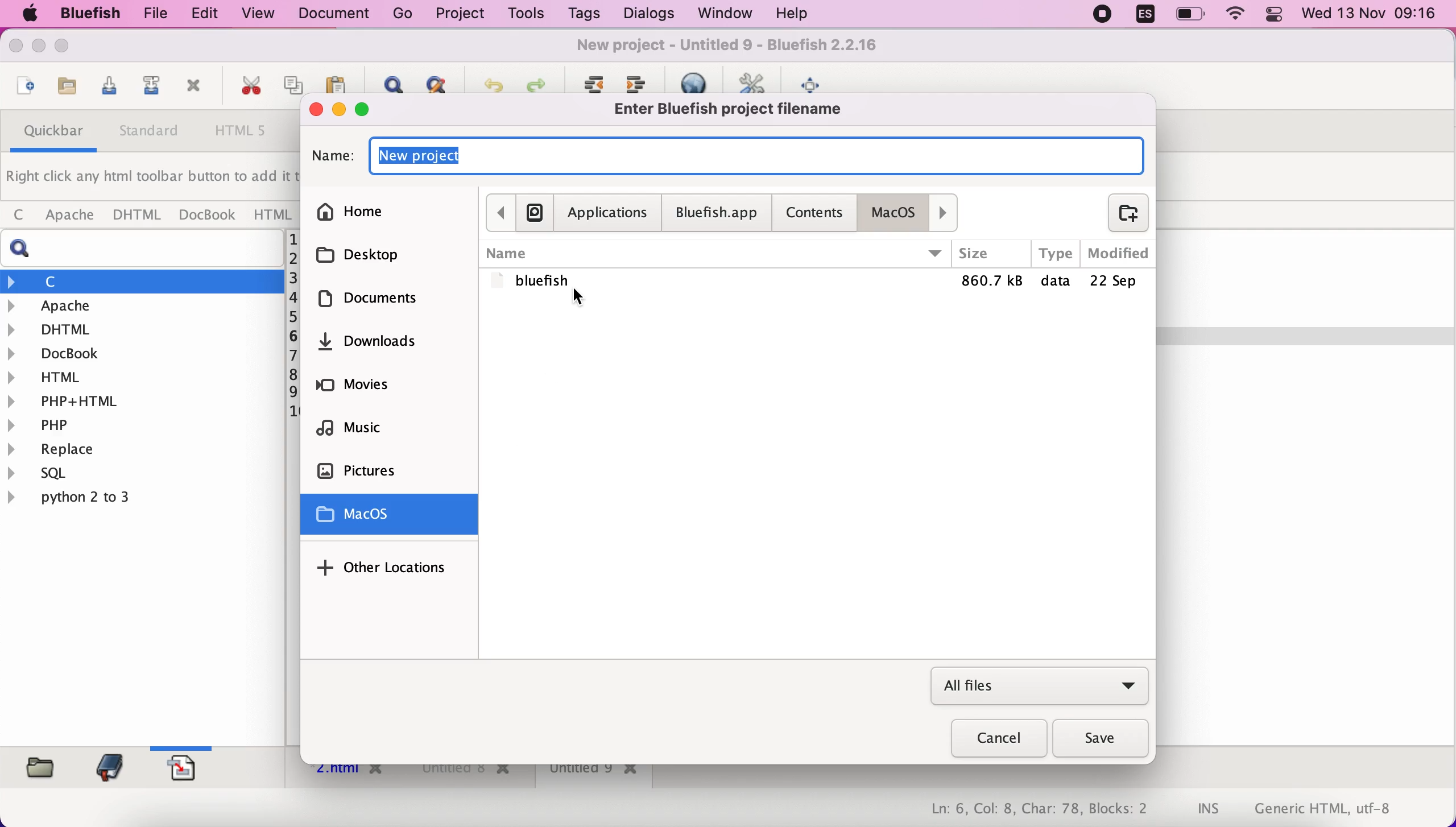 This screenshot has width=1456, height=827. Describe the element at coordinates (372, 109) in the screenshot. I see `maximize` at that location.